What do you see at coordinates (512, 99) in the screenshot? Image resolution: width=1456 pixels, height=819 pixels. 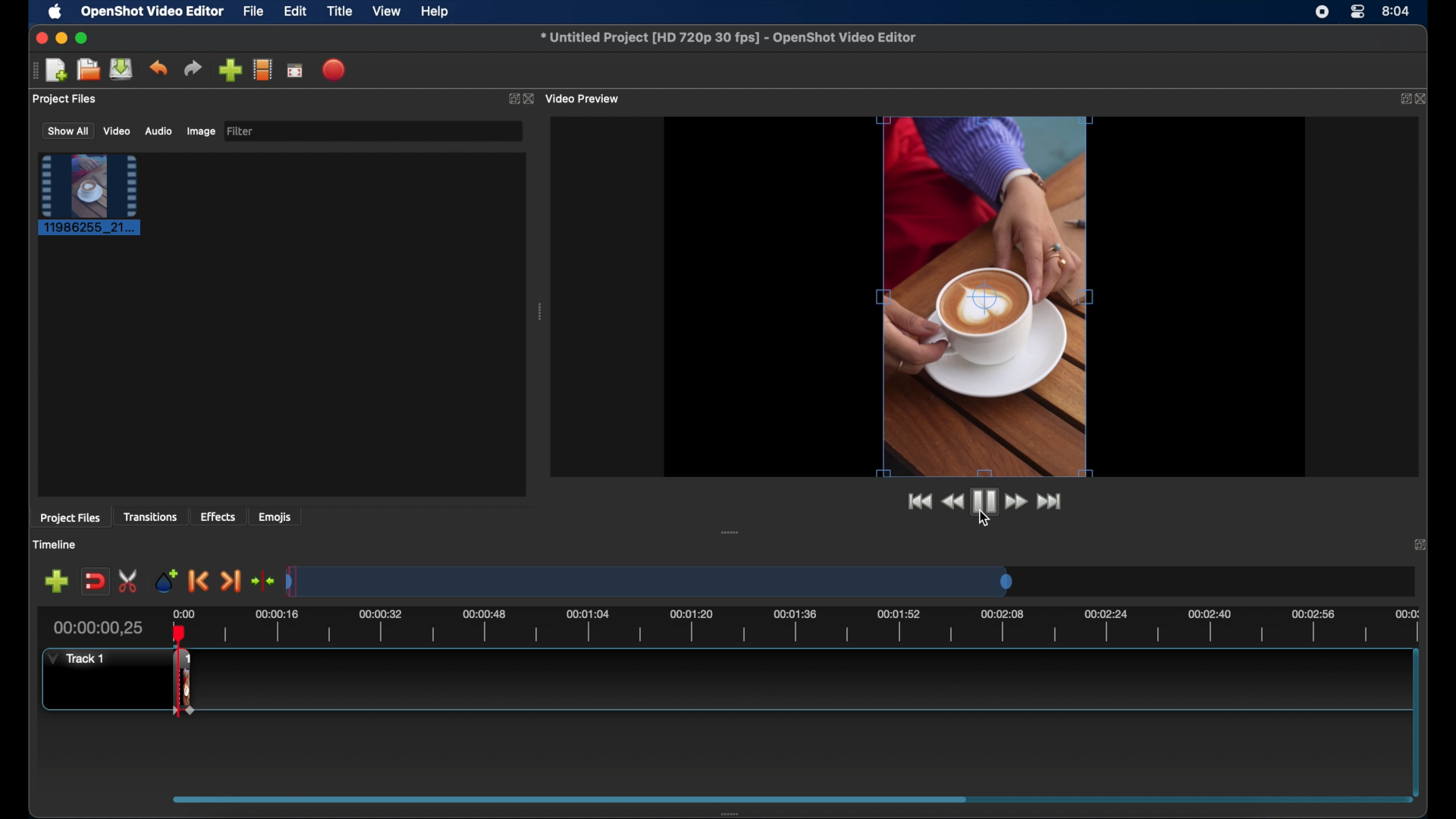 I see `expand` at bounding box center [512, 99].